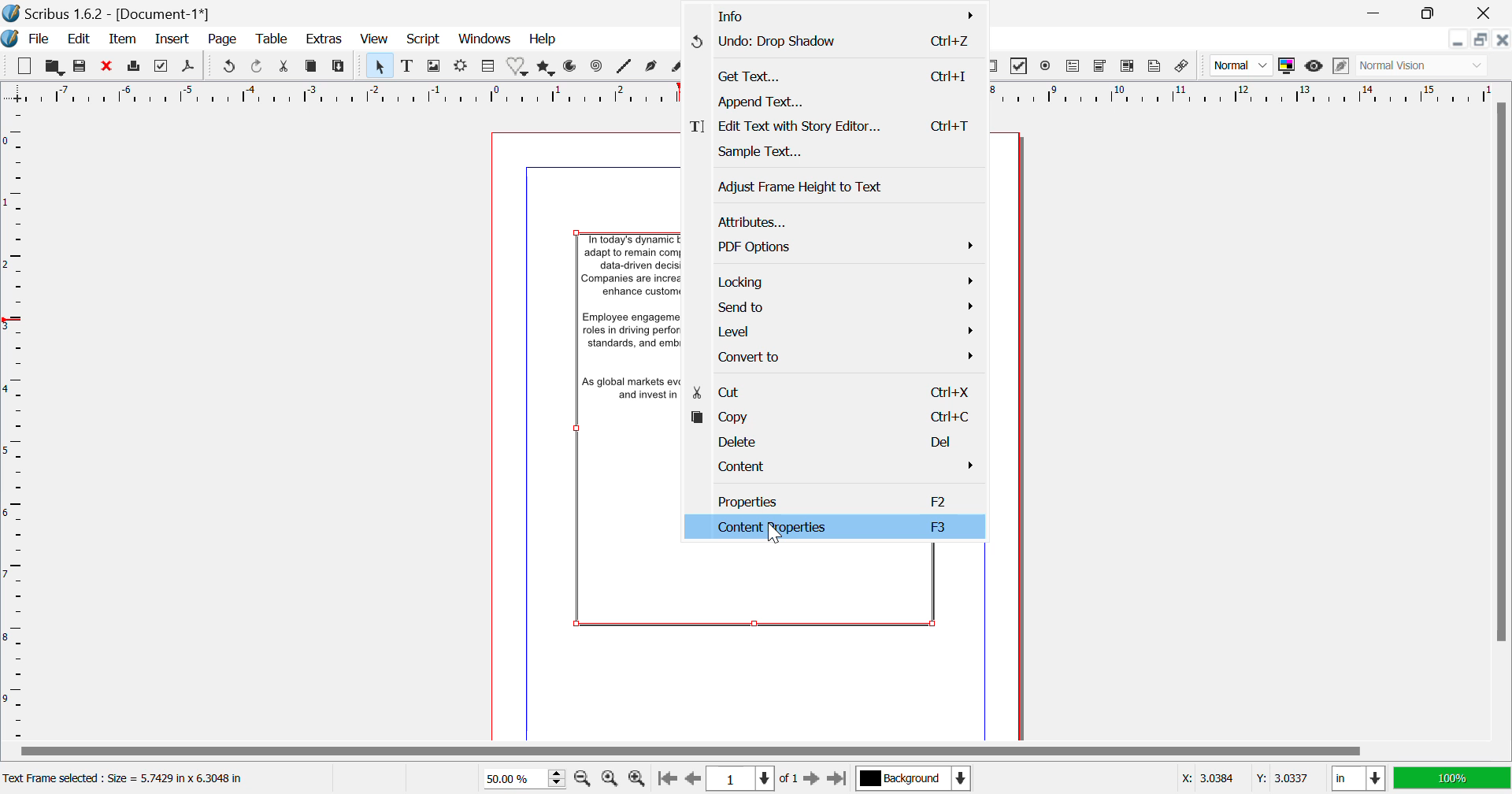 This screenshot has width=1512, height=794. What do you see at coordinates (843, 441) in the screenshot?
I see `Delete` at bounding box center [843, 441].